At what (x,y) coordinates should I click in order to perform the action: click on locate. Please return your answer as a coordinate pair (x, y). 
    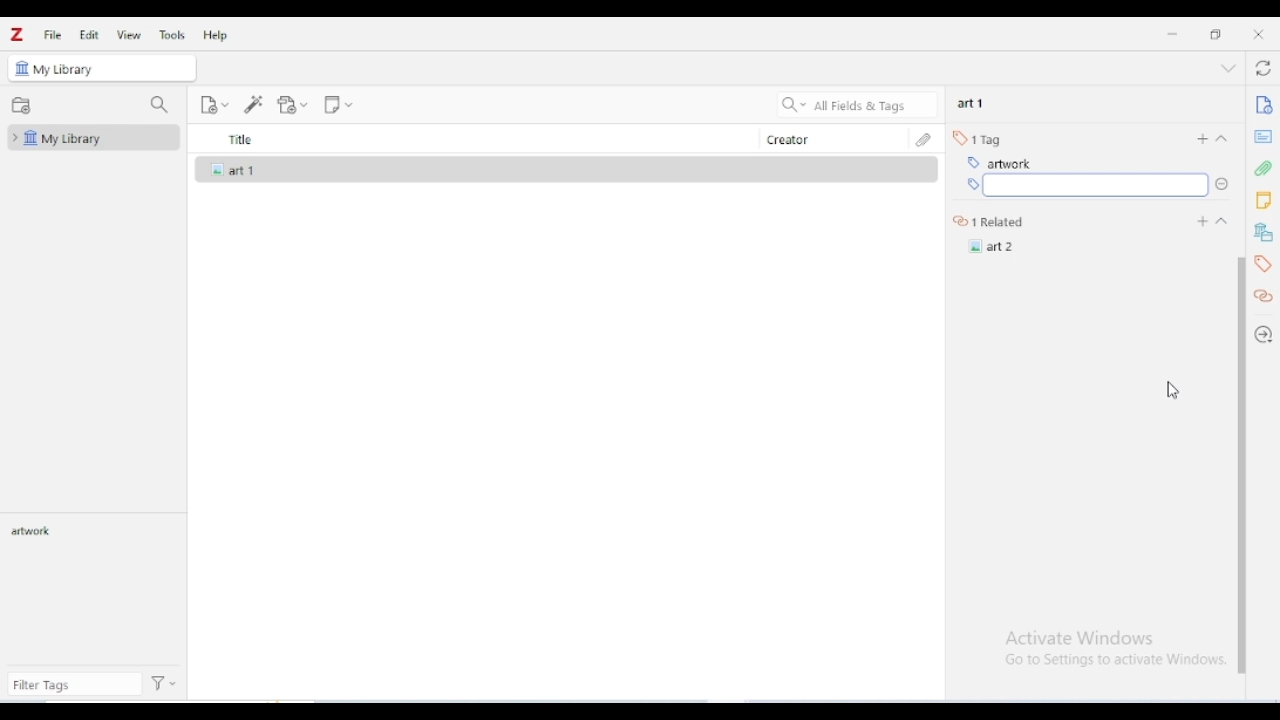
    Looking at the image, I should click on (1265, 334).